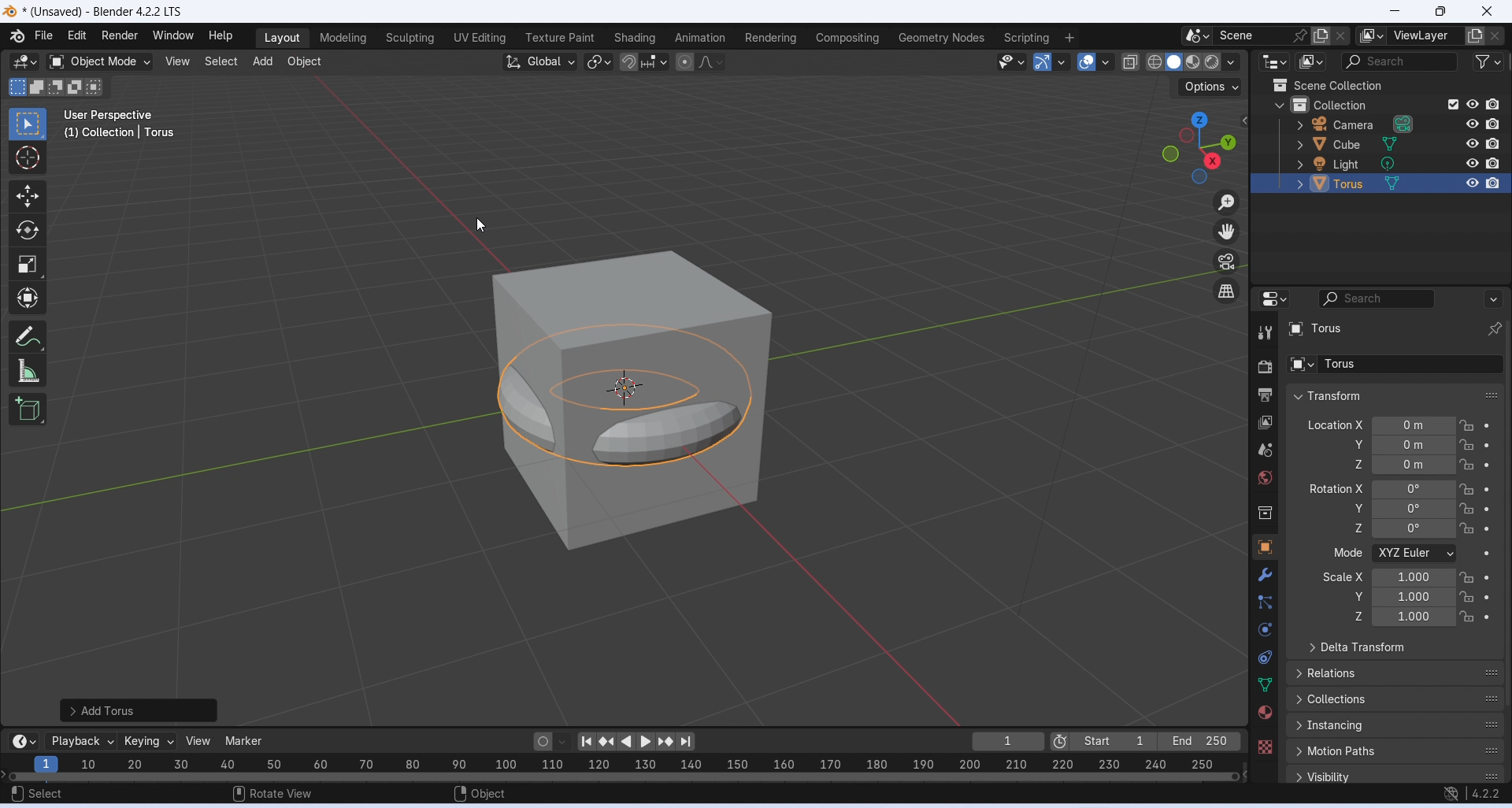 Image resolution: width=1512 pixels, height=808 pixels. What do you see at coordinates (480, 224) in the screenshot?
I see `Cursor` at bounding box center [480, 224].